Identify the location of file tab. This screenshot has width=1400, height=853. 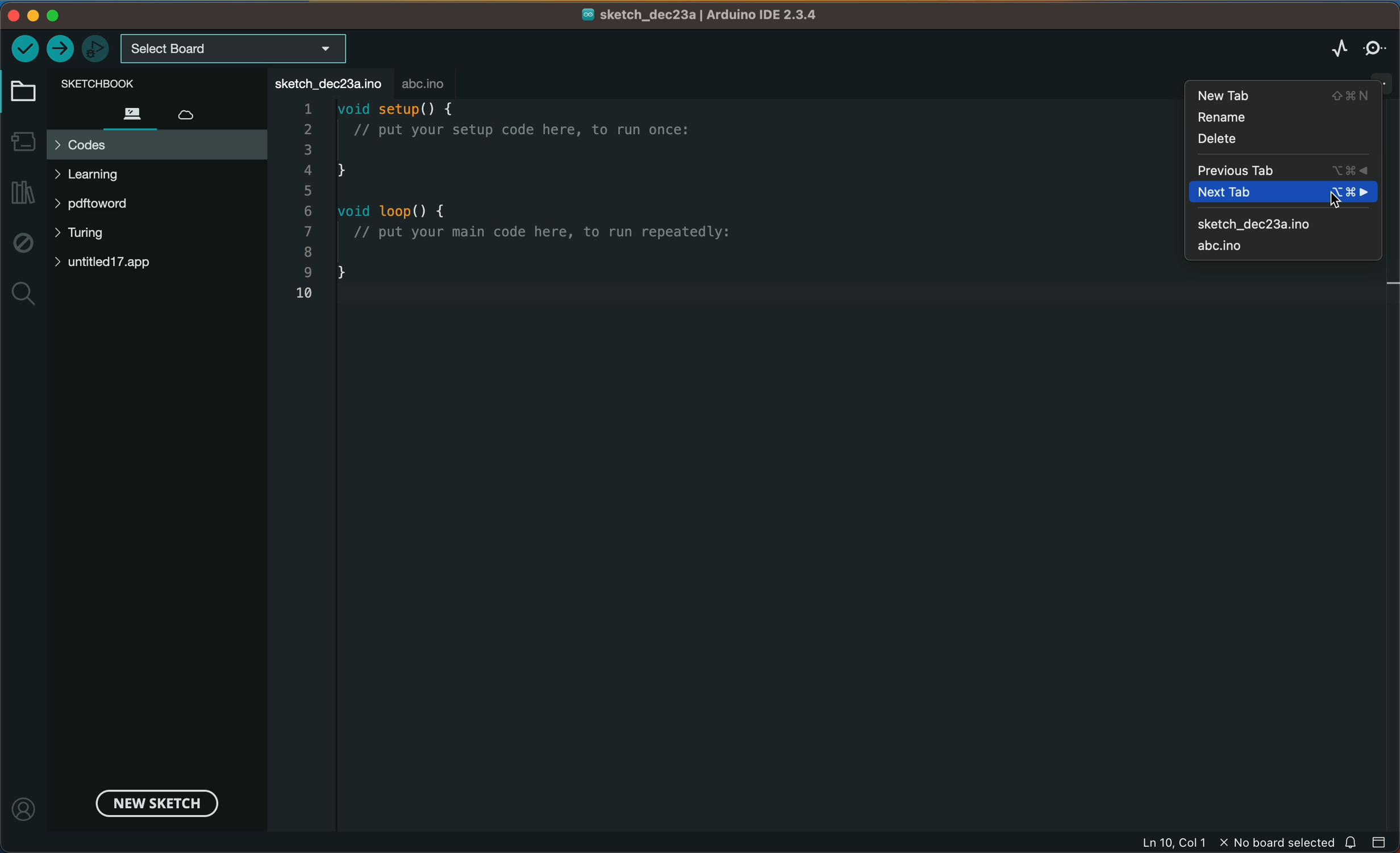
(326, 81).